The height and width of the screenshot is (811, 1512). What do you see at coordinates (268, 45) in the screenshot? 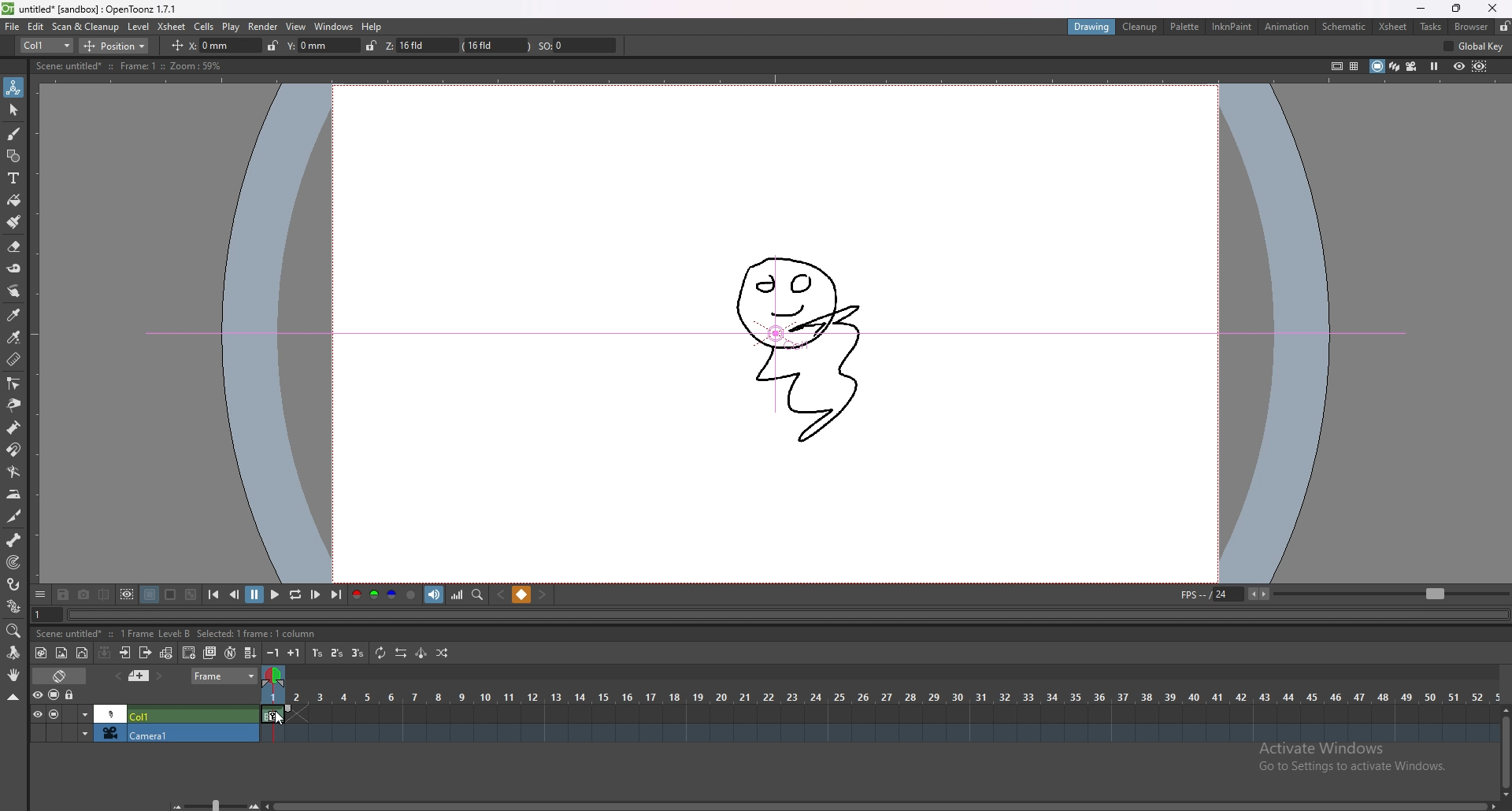
I see `lock` at bounding box center [268, 45].